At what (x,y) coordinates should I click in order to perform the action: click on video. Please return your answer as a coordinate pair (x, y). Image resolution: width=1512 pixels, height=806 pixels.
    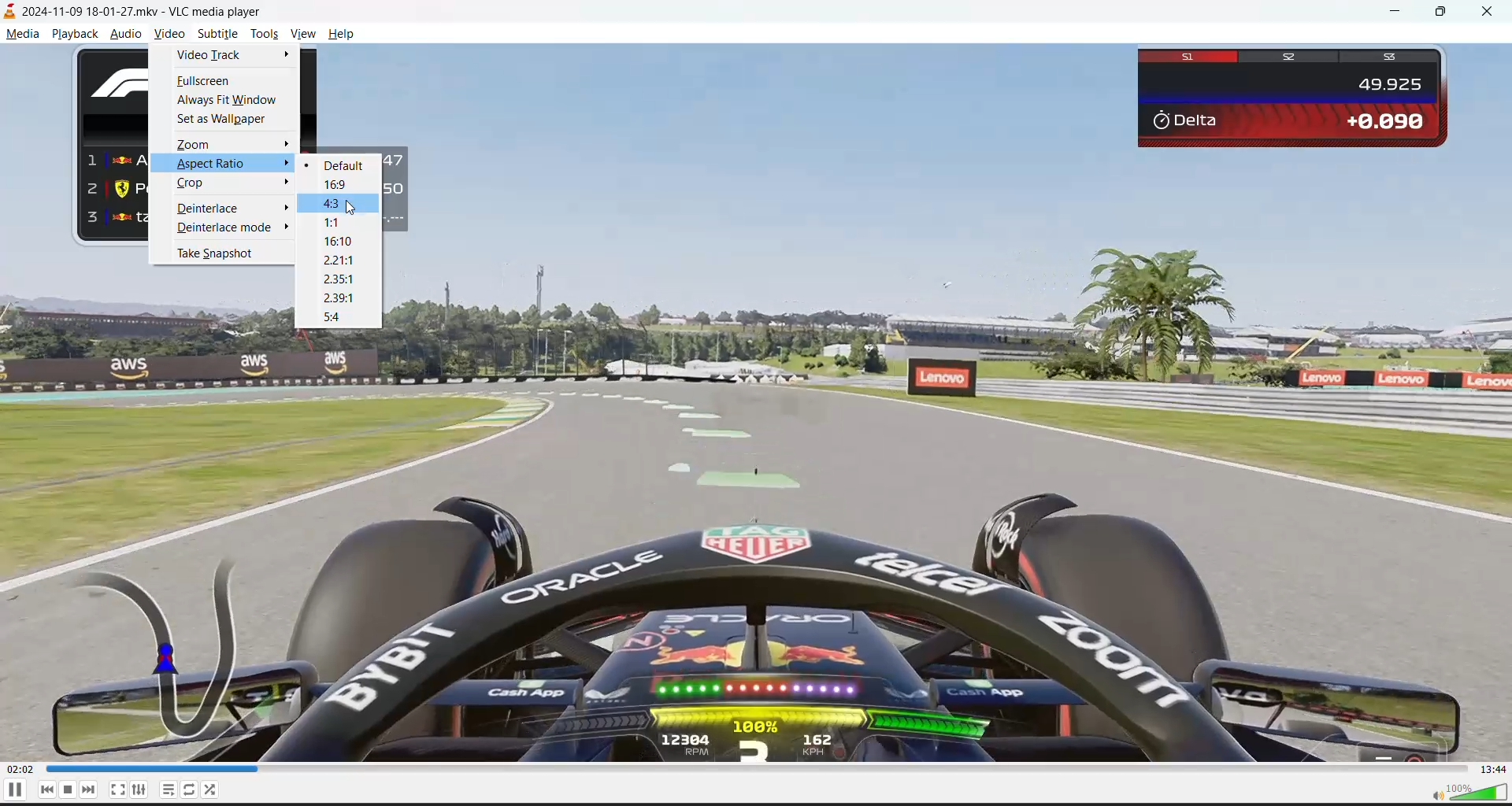
    Looking at the image, I should click on (169, 36).